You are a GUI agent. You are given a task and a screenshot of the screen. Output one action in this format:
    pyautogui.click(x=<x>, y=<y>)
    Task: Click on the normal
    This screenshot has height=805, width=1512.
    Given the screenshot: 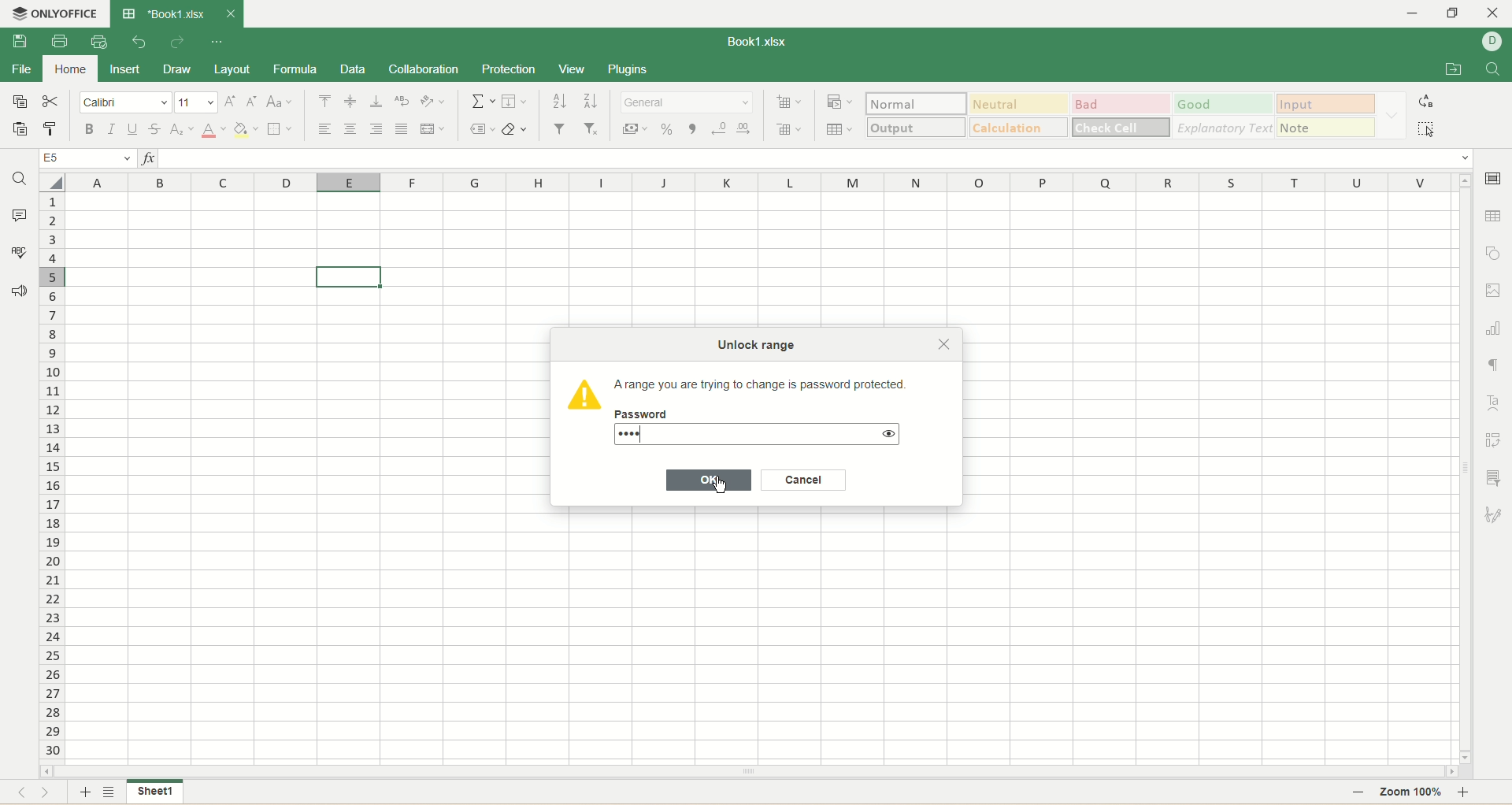 What is the action you would take?
    pyautogui.click(x=914, y=104)
    